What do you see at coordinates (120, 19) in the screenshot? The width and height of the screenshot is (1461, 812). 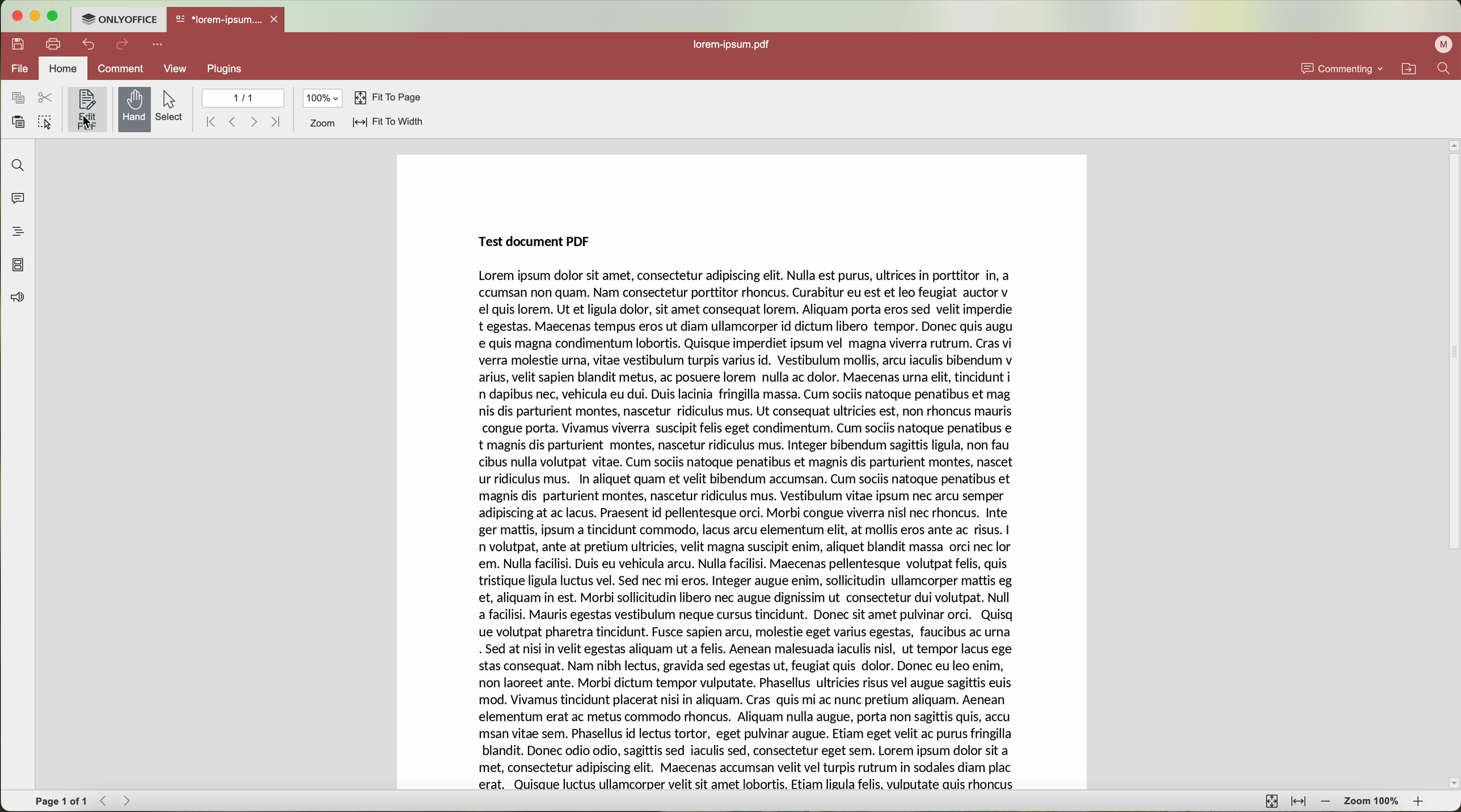 I see `ONLYOFFICE` at bounding box center [120, 19].